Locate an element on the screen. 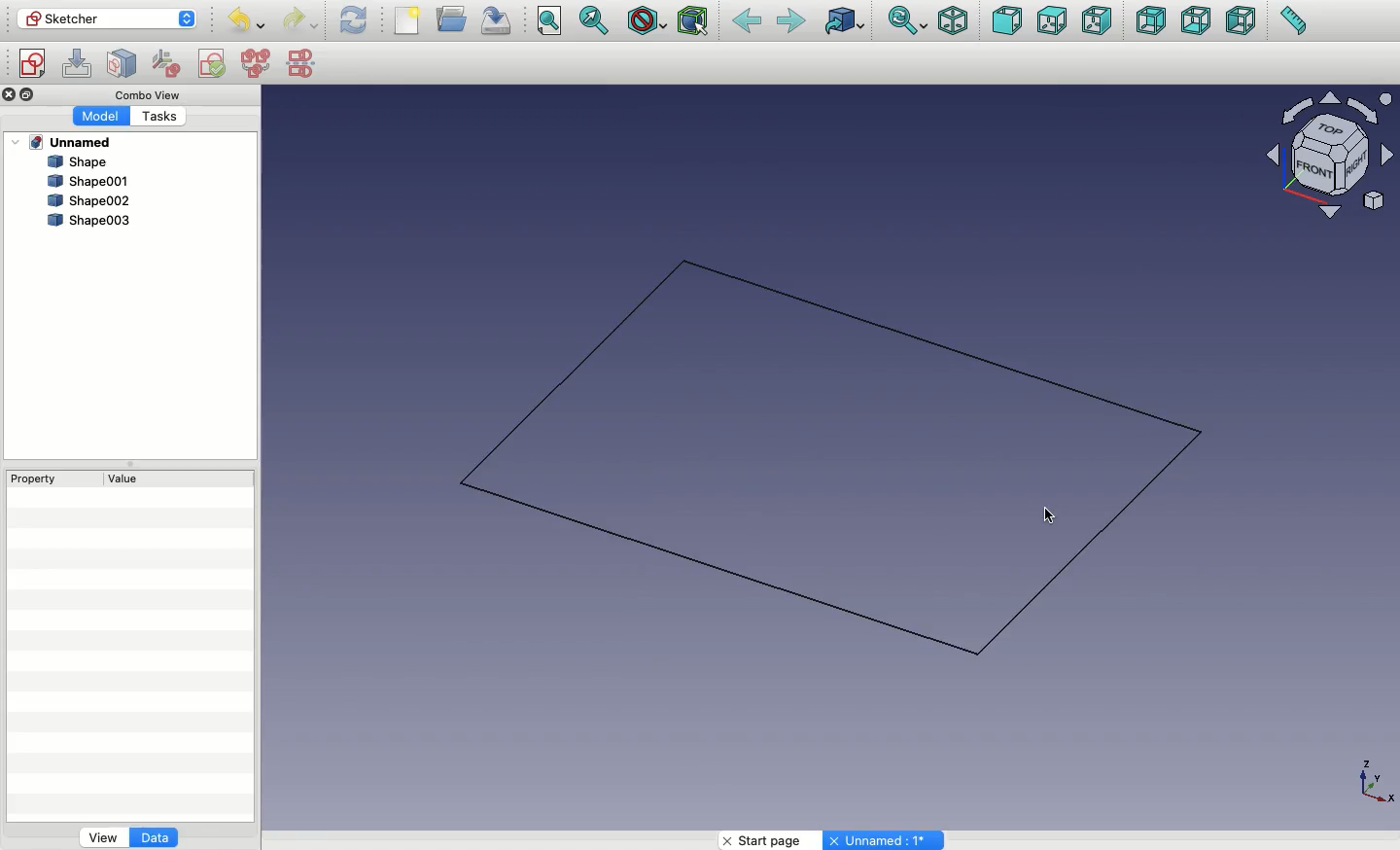 This screenshot has width=1400, height=850. Shape001 is located at coordinates (87, 181).